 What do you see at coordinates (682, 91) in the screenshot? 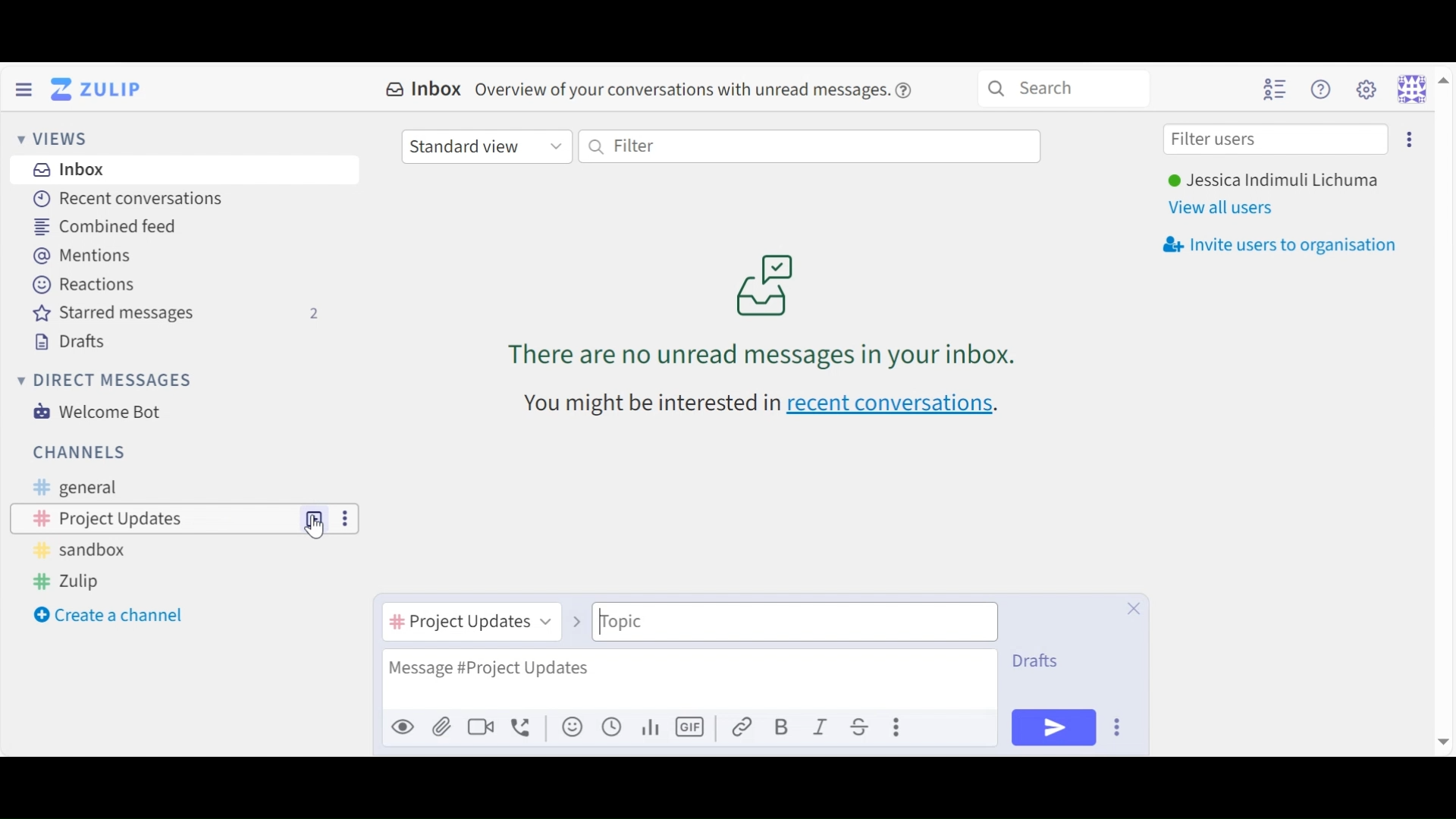
I see `overview of conversations` at bounding box center [682, 91].